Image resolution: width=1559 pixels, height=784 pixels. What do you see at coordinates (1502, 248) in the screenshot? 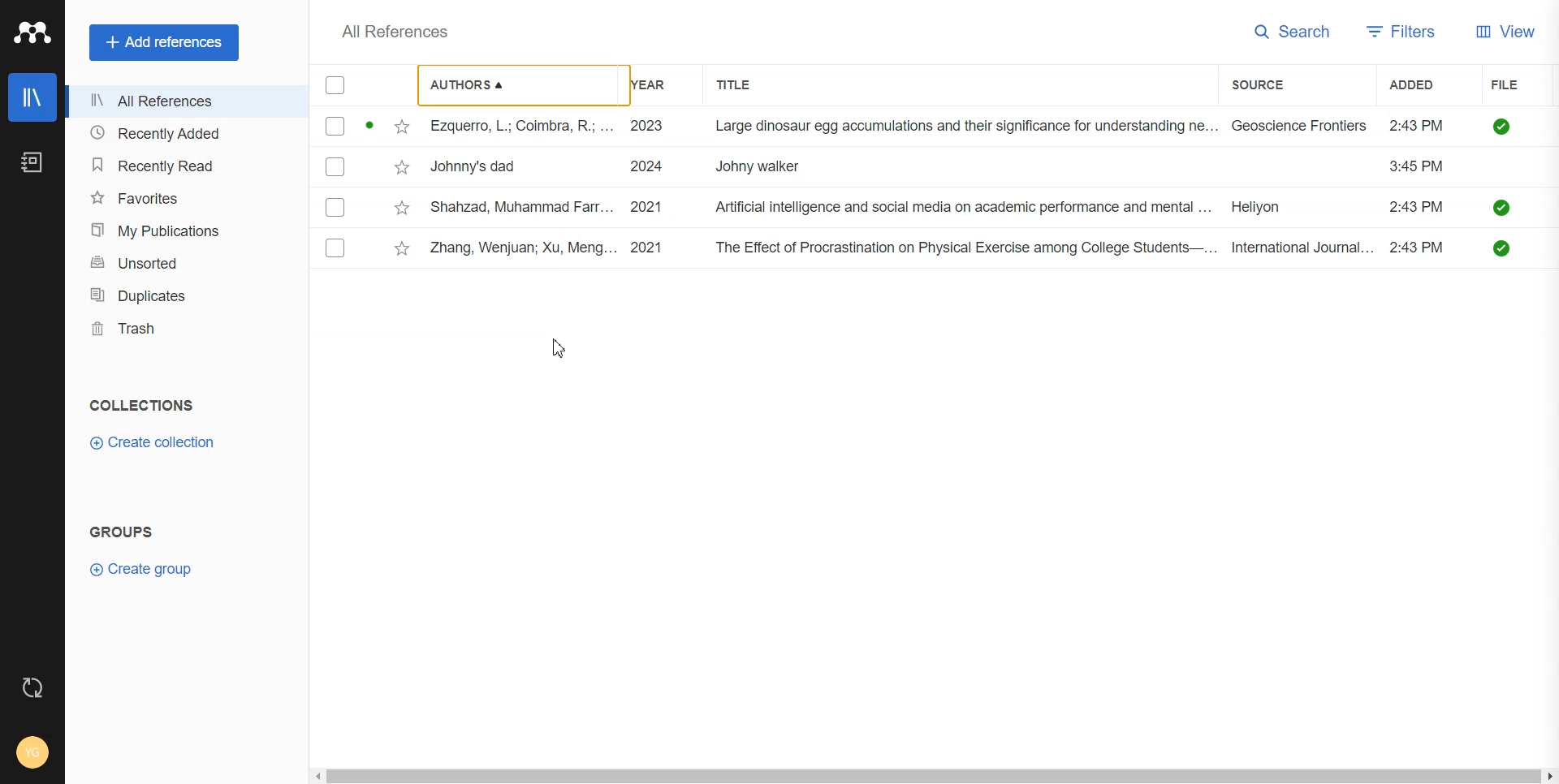
I see `download check` at bounding box center [1502, 248].